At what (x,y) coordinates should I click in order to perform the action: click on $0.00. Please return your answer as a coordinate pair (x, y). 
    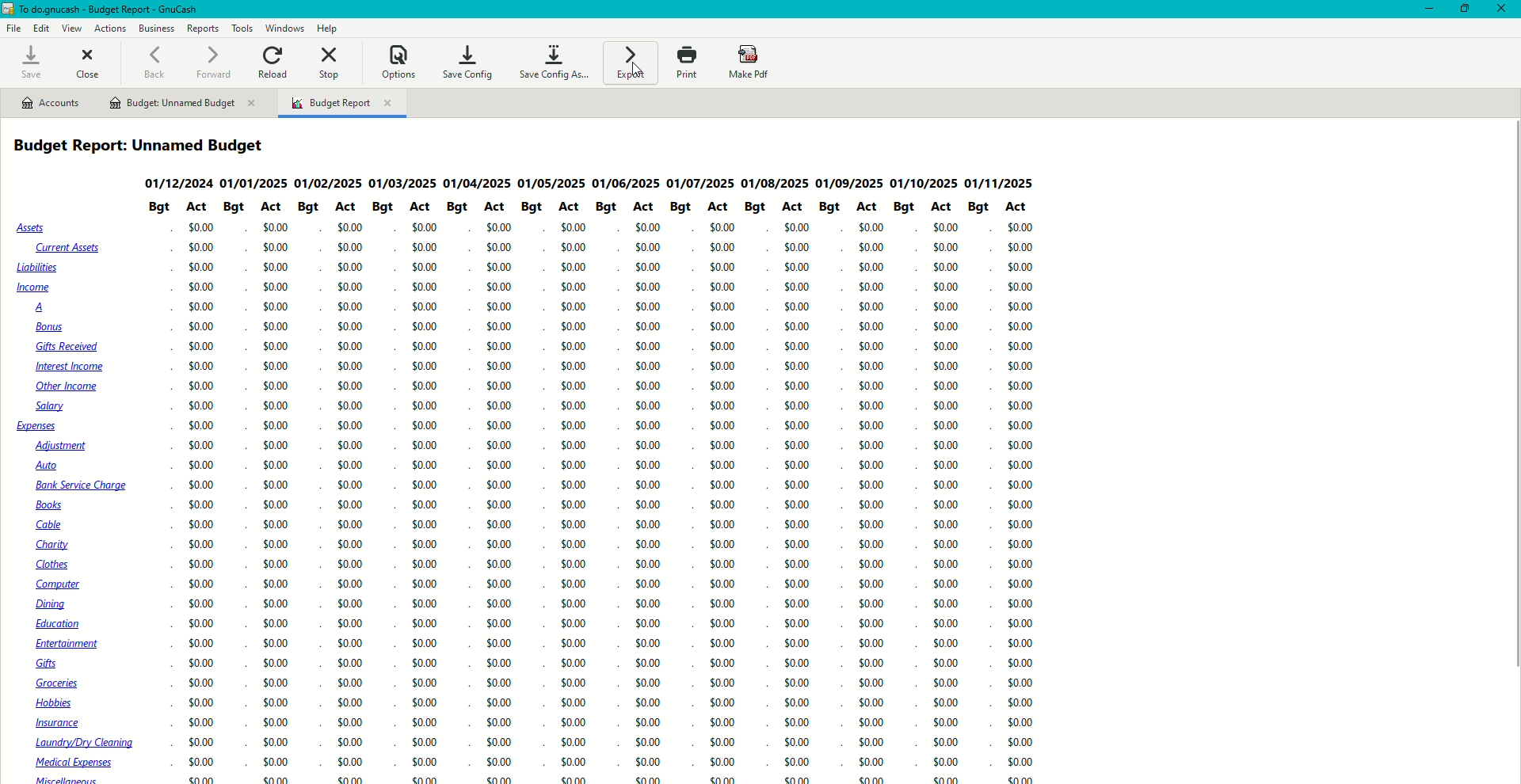
    Looking at the image, I should click on (352, 364).